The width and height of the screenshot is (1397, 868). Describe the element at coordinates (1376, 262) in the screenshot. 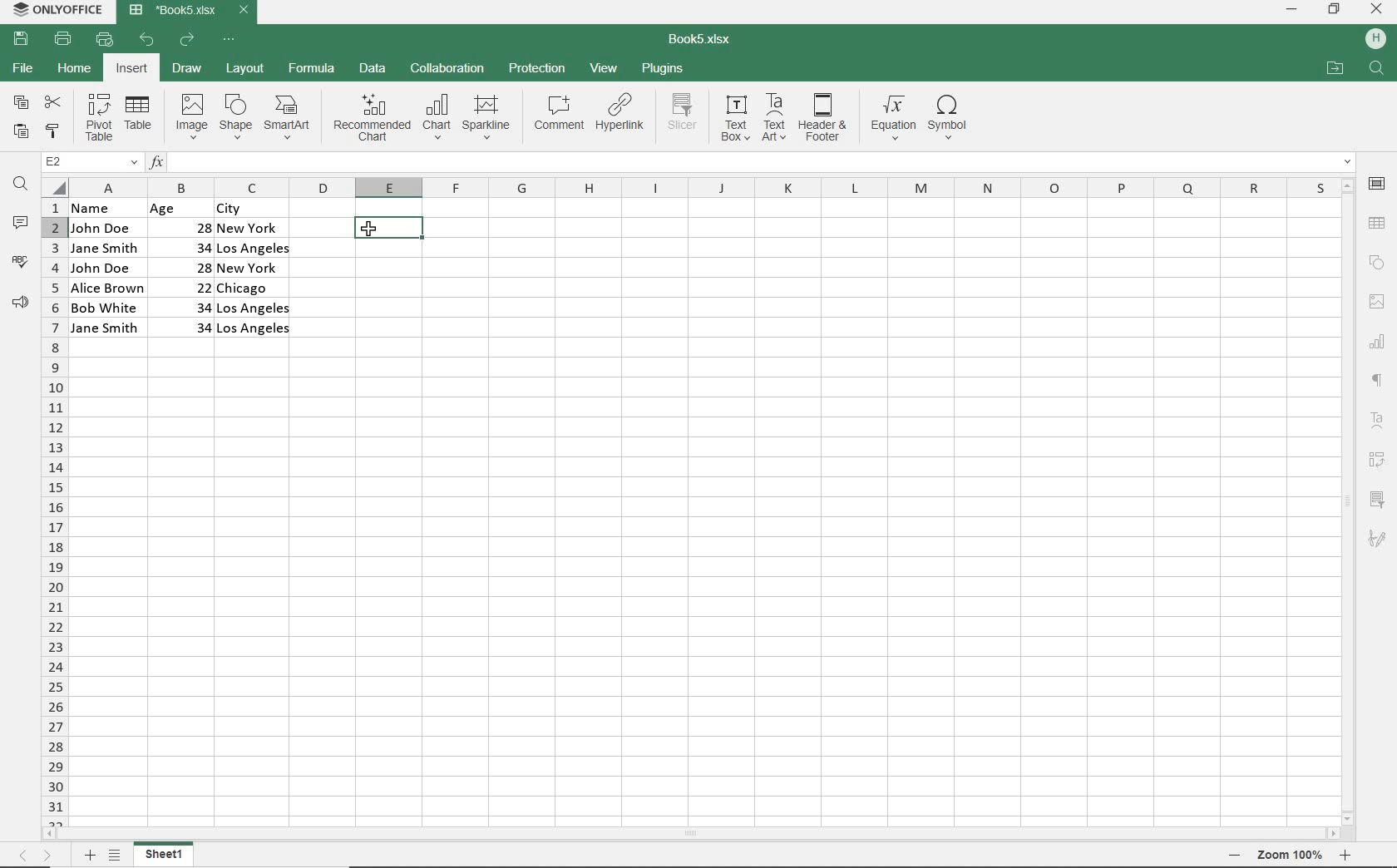

I see `SHAPE` at that location.